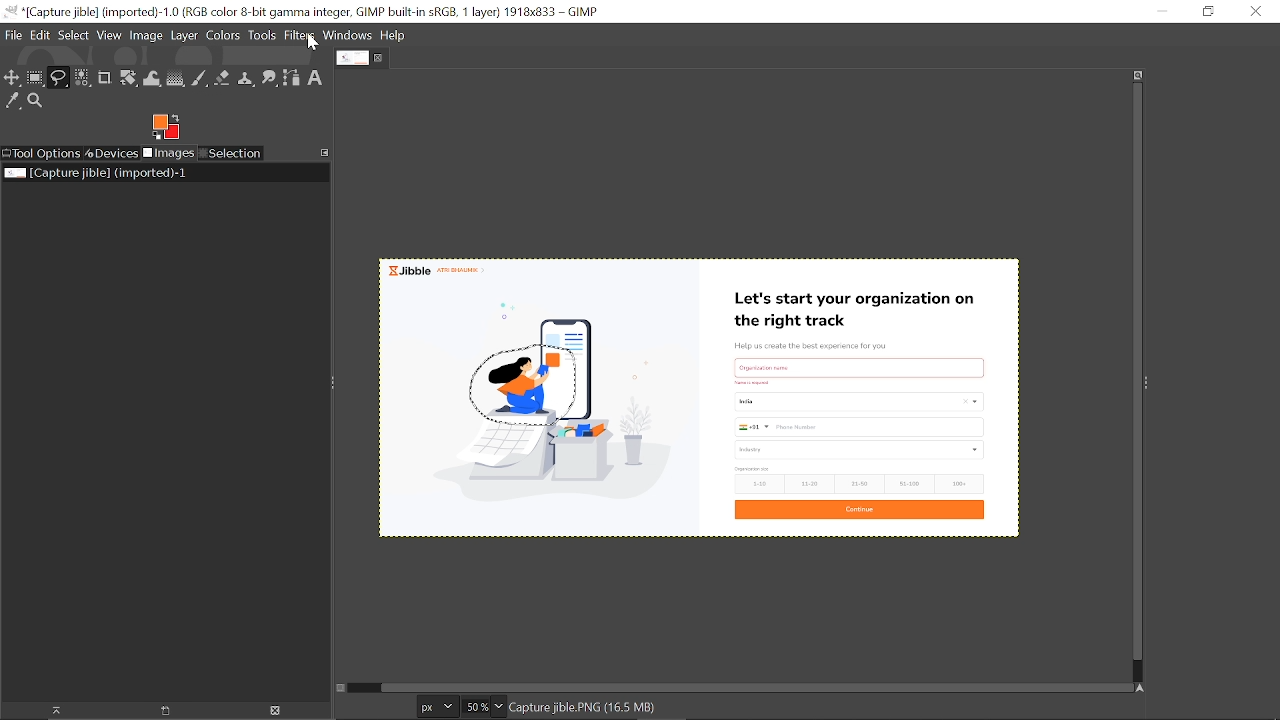 Image resolution: width=1280 pixels, height=720 pixels. Describe the element at coordinates (166, 127) in the screenshot. I see `Foreground color` at that location.